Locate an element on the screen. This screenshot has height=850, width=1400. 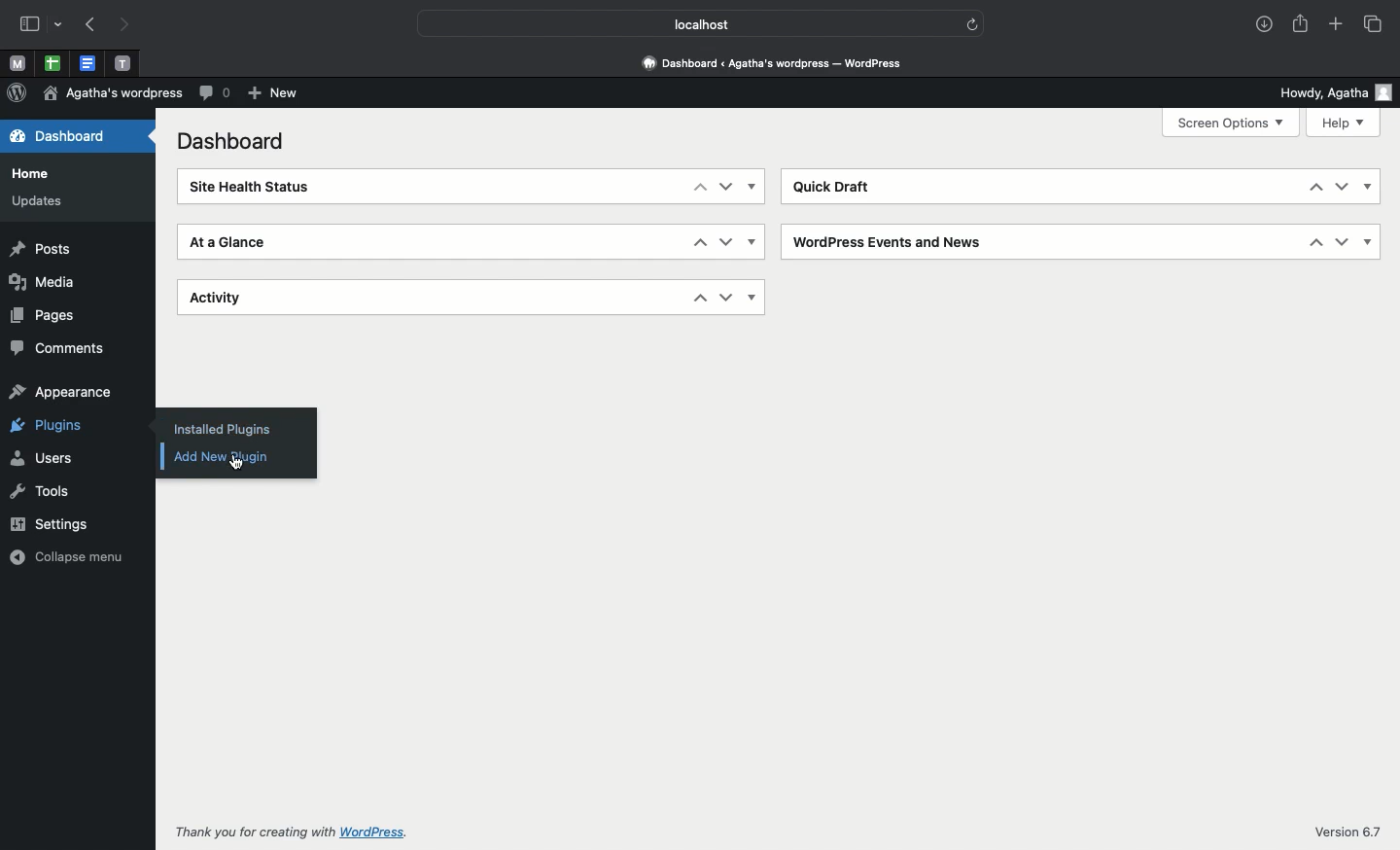
Clicking on add new plugin is located at coordinates (238, 463).